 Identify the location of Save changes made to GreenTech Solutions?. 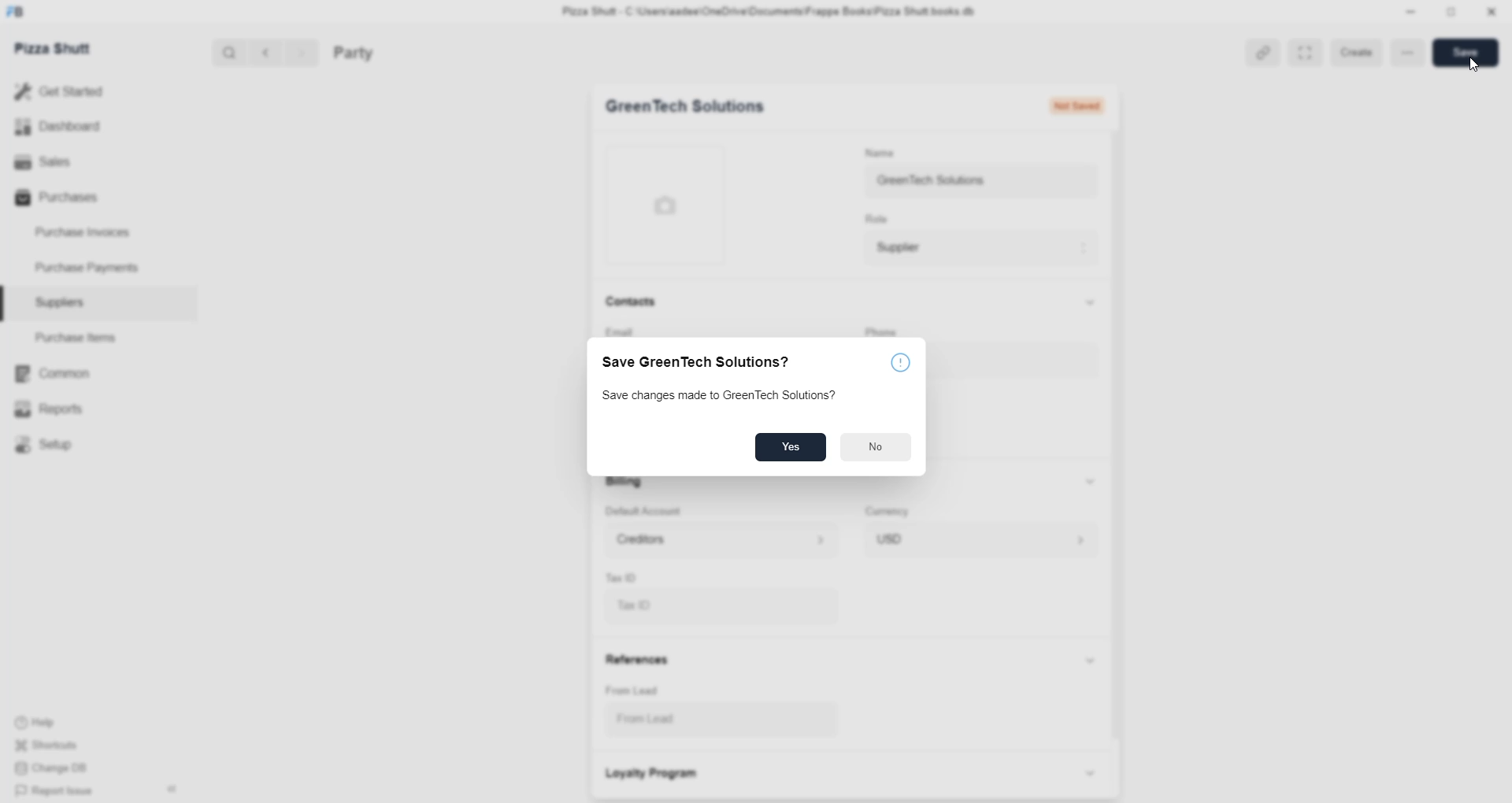
(723, 394).